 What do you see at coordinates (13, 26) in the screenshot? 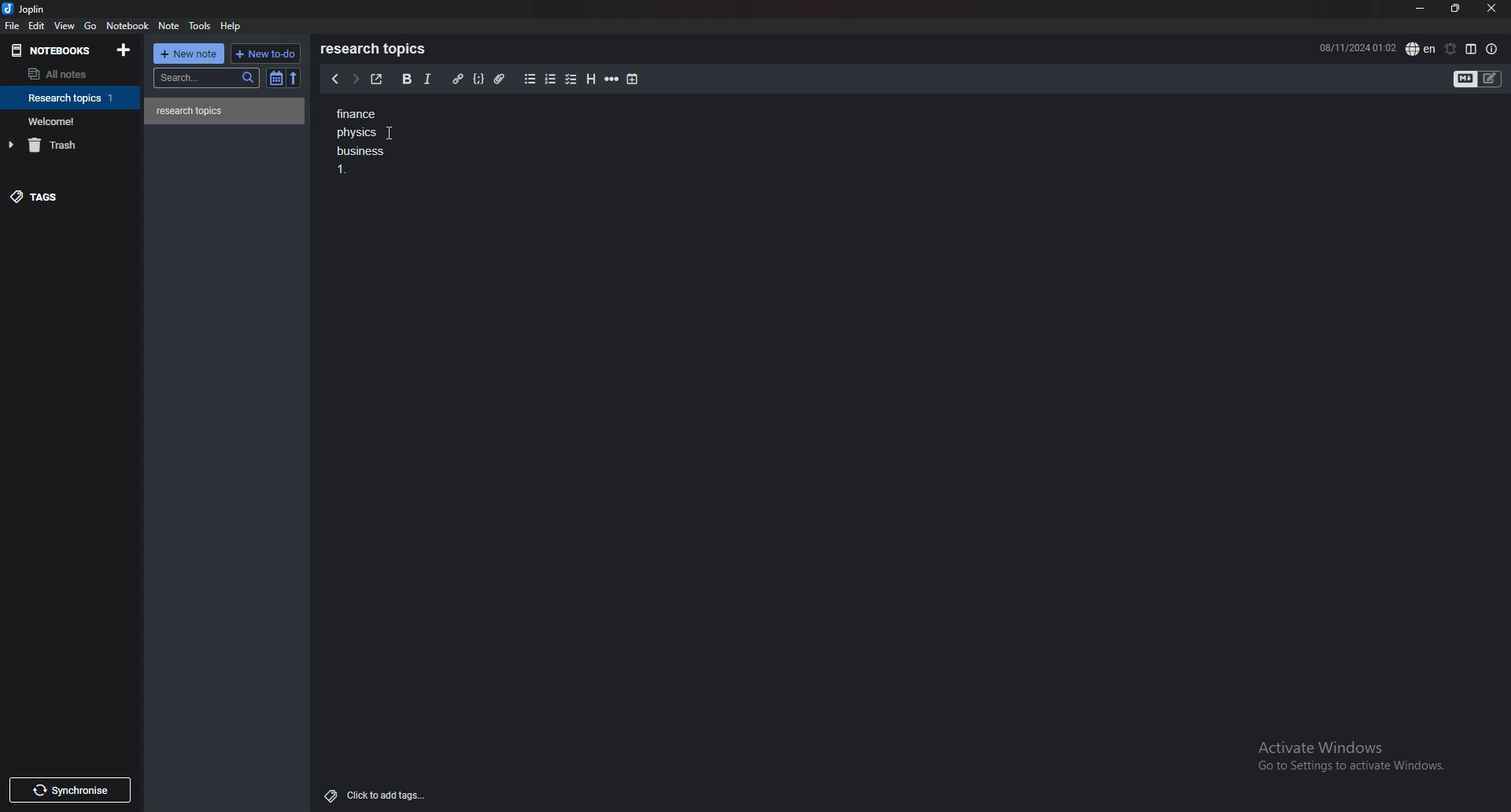
I see `file` at bounding box center [13, 26].